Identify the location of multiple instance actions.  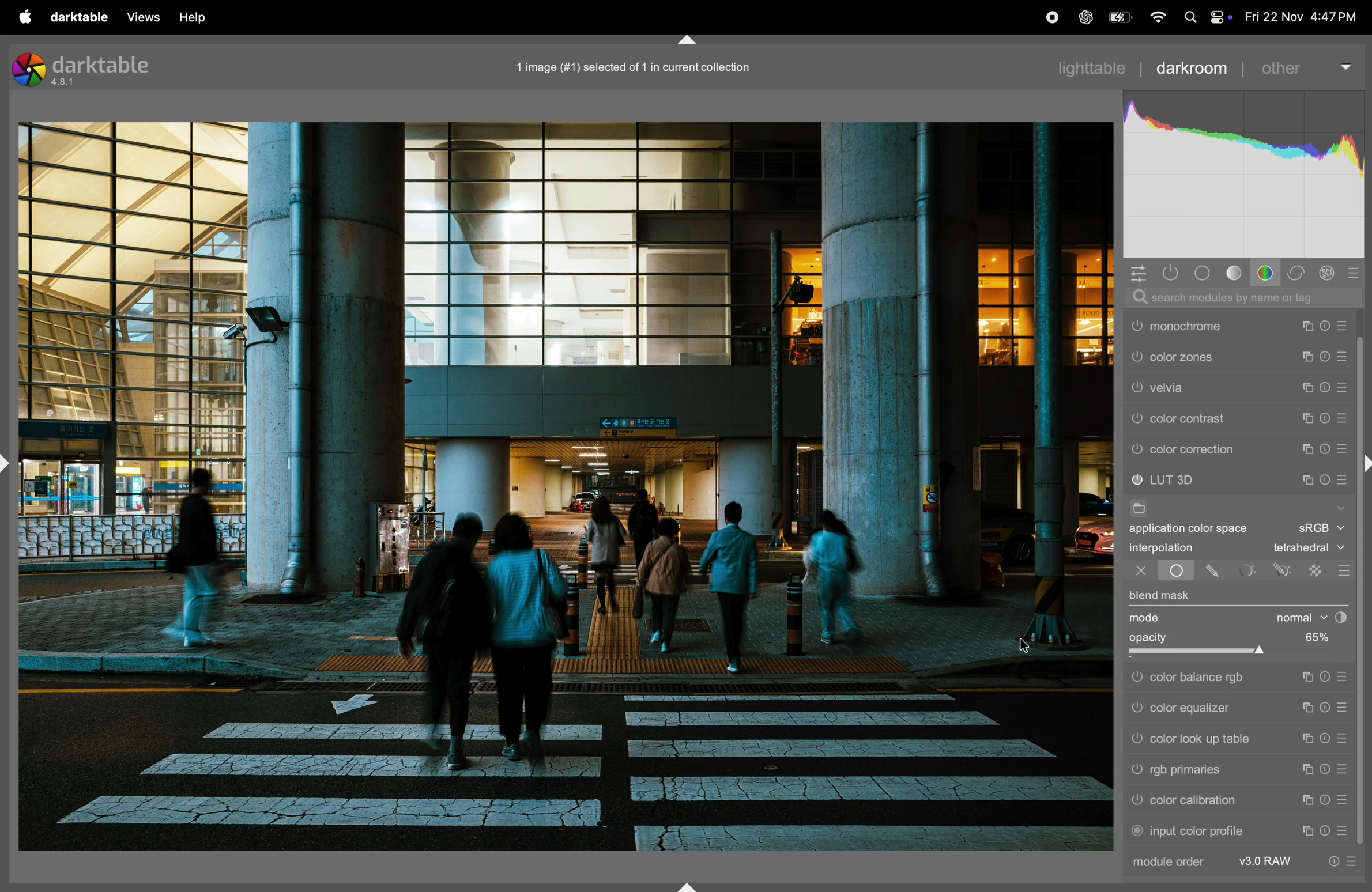
(1306, 801).